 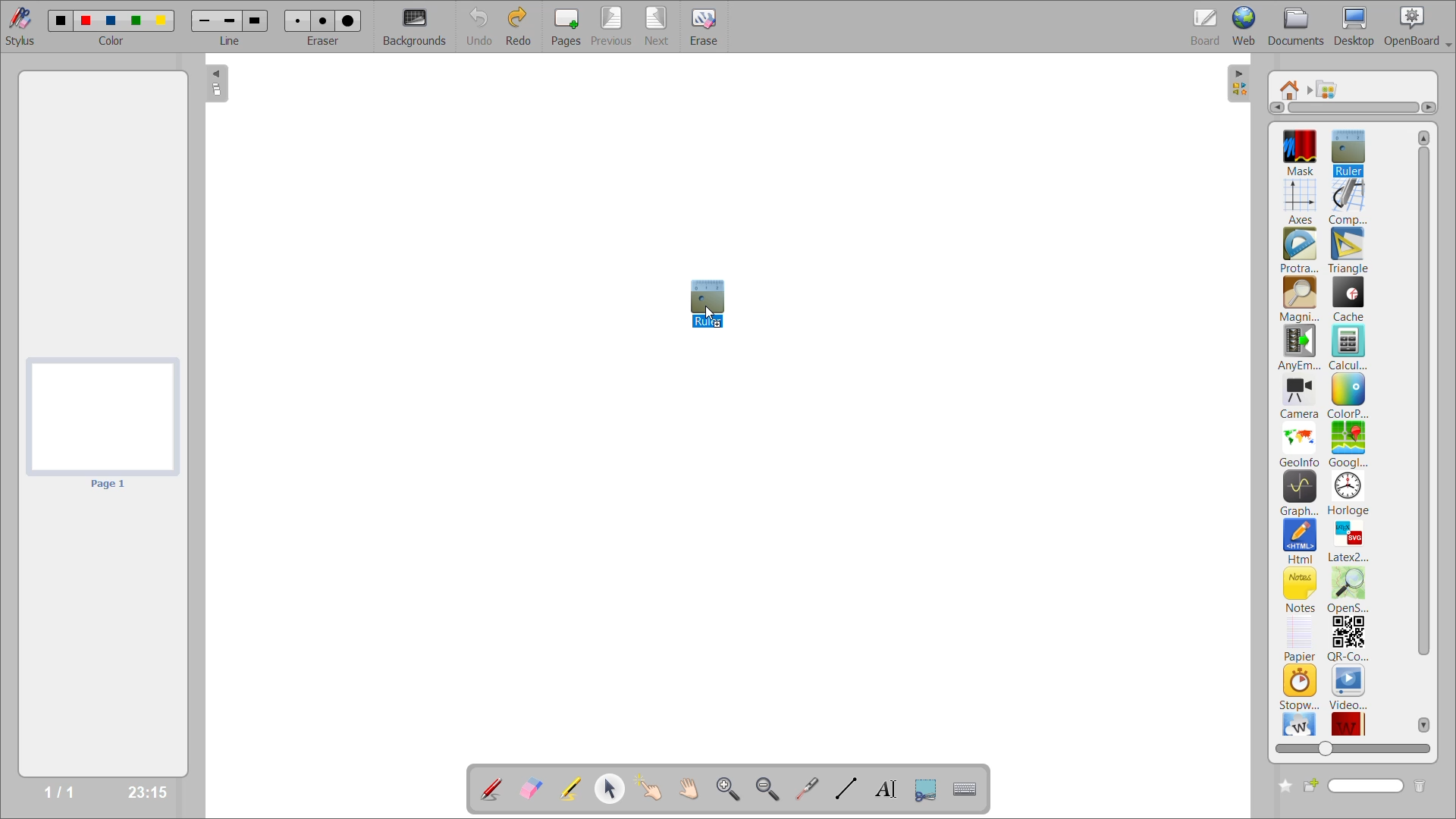 What do you see at coordinates (710, 27) in the screenshot?
I see `erase` at bounding box center [710, 27].